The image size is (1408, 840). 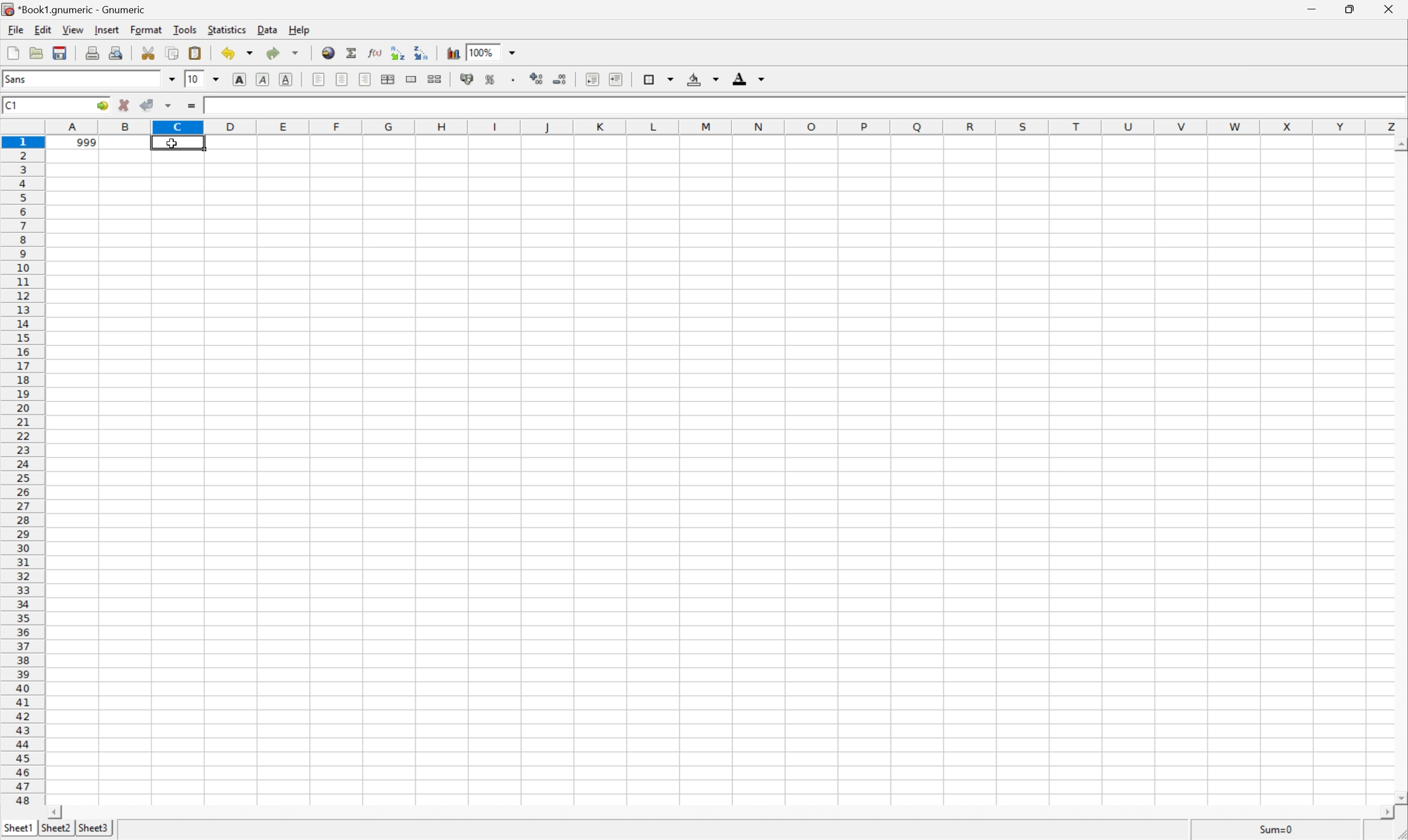 I want to click on go to, so click(x=104, y=105).